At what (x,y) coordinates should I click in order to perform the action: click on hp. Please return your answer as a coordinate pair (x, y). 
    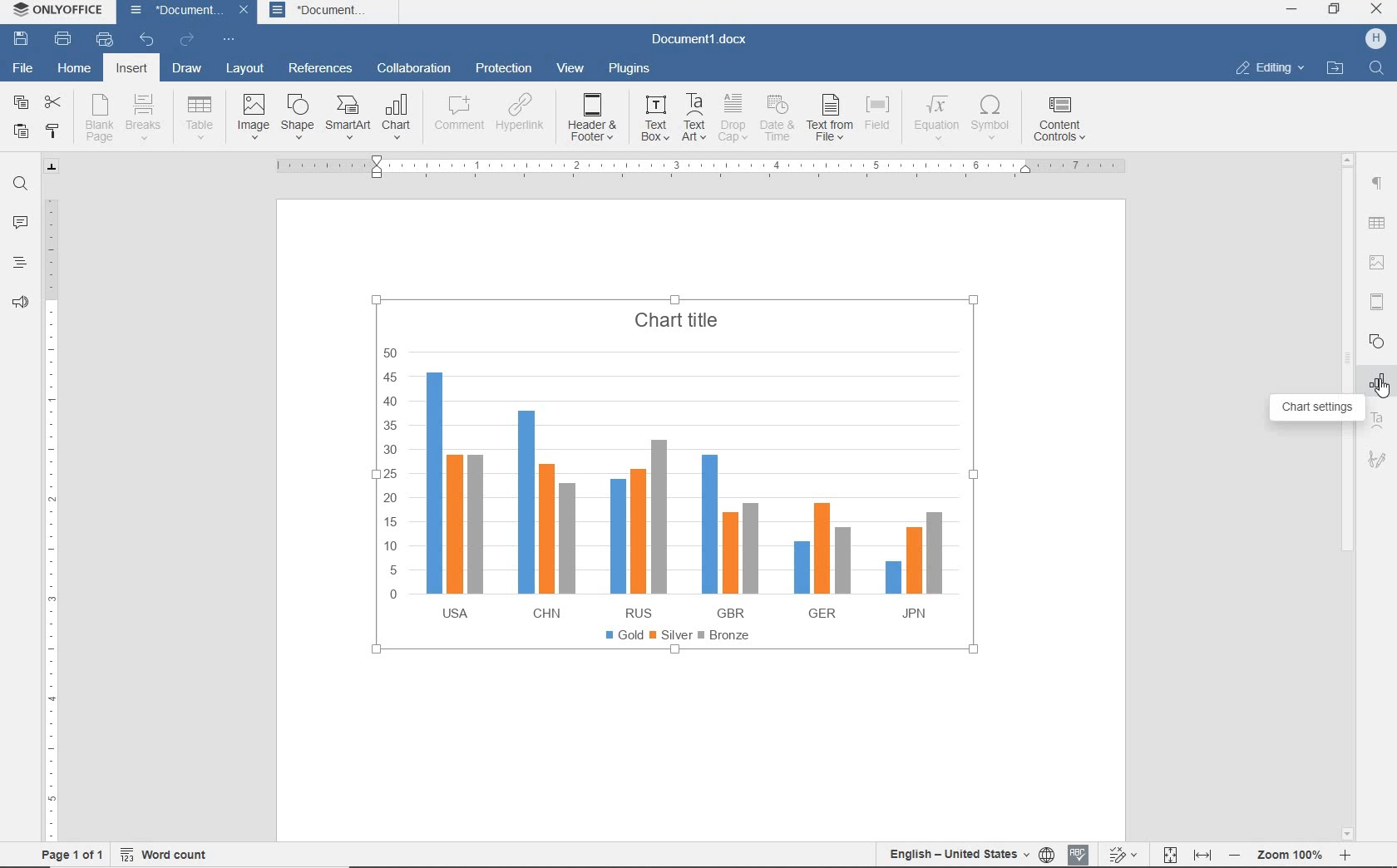
    Looking at the image, I should click on (1376, 39).